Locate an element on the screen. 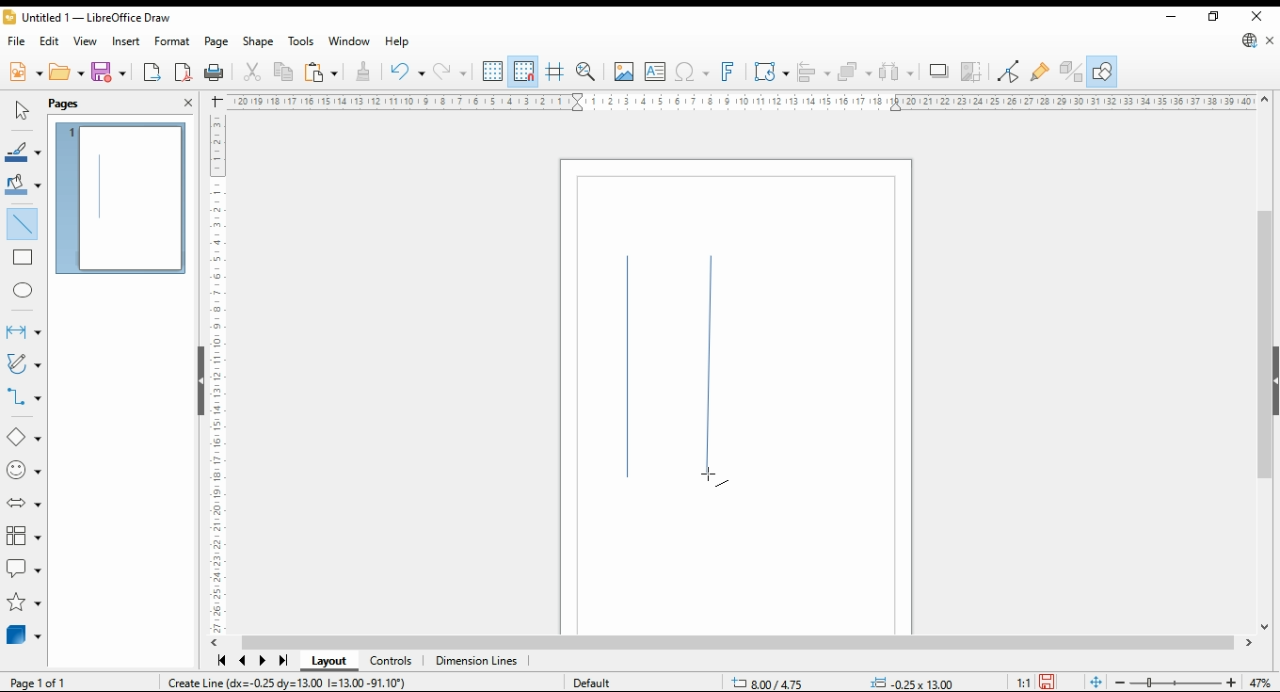 This screenshot has height=692, width=1280. clone formatting is located at coordinates (362, 70).